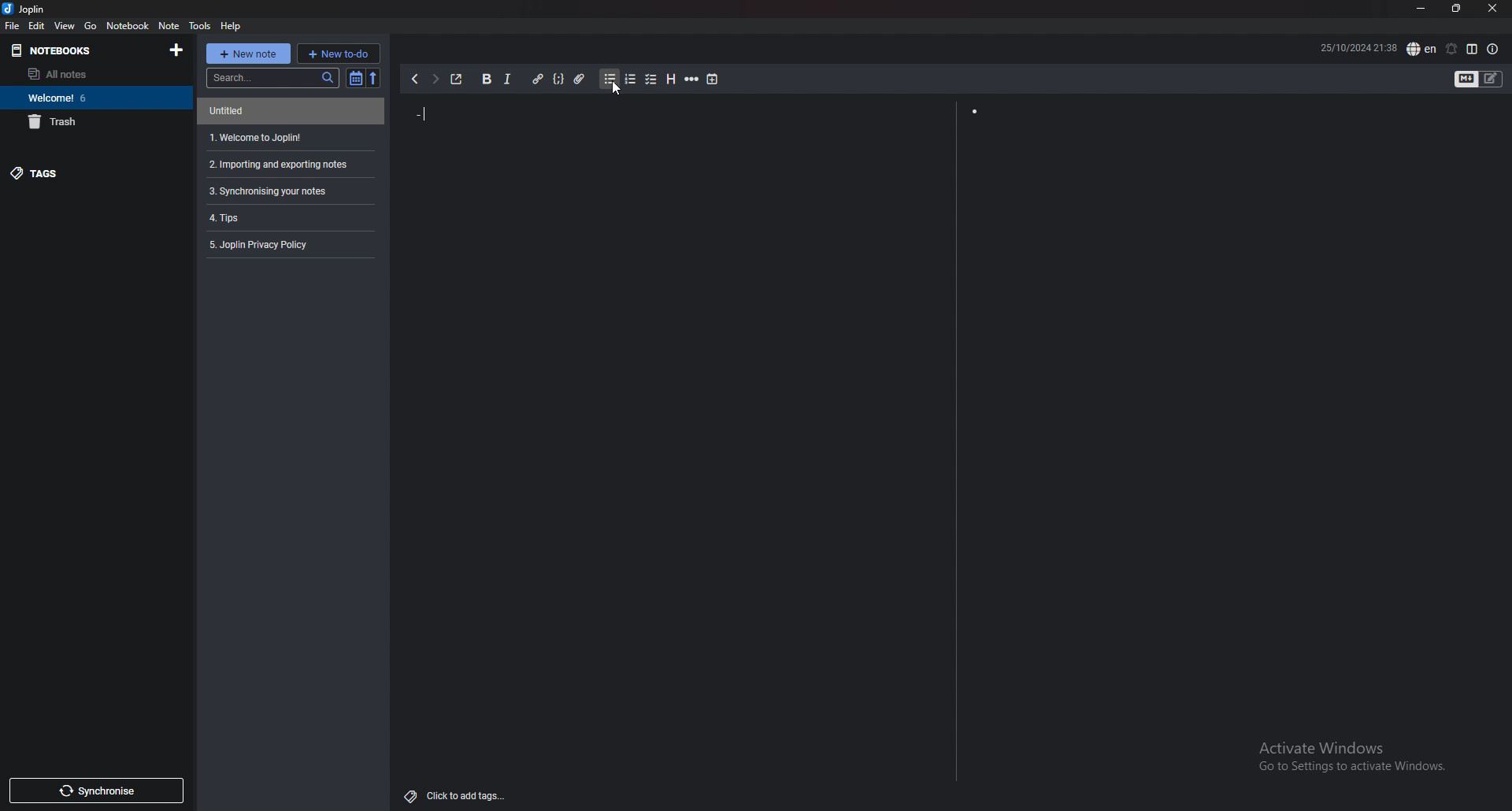 This screenshot has width=1512, height=811. What do you see at coordinates (1473, 50) in the screenshot?
I see `Toggle editor layout` at bounding box center [1473, 50].